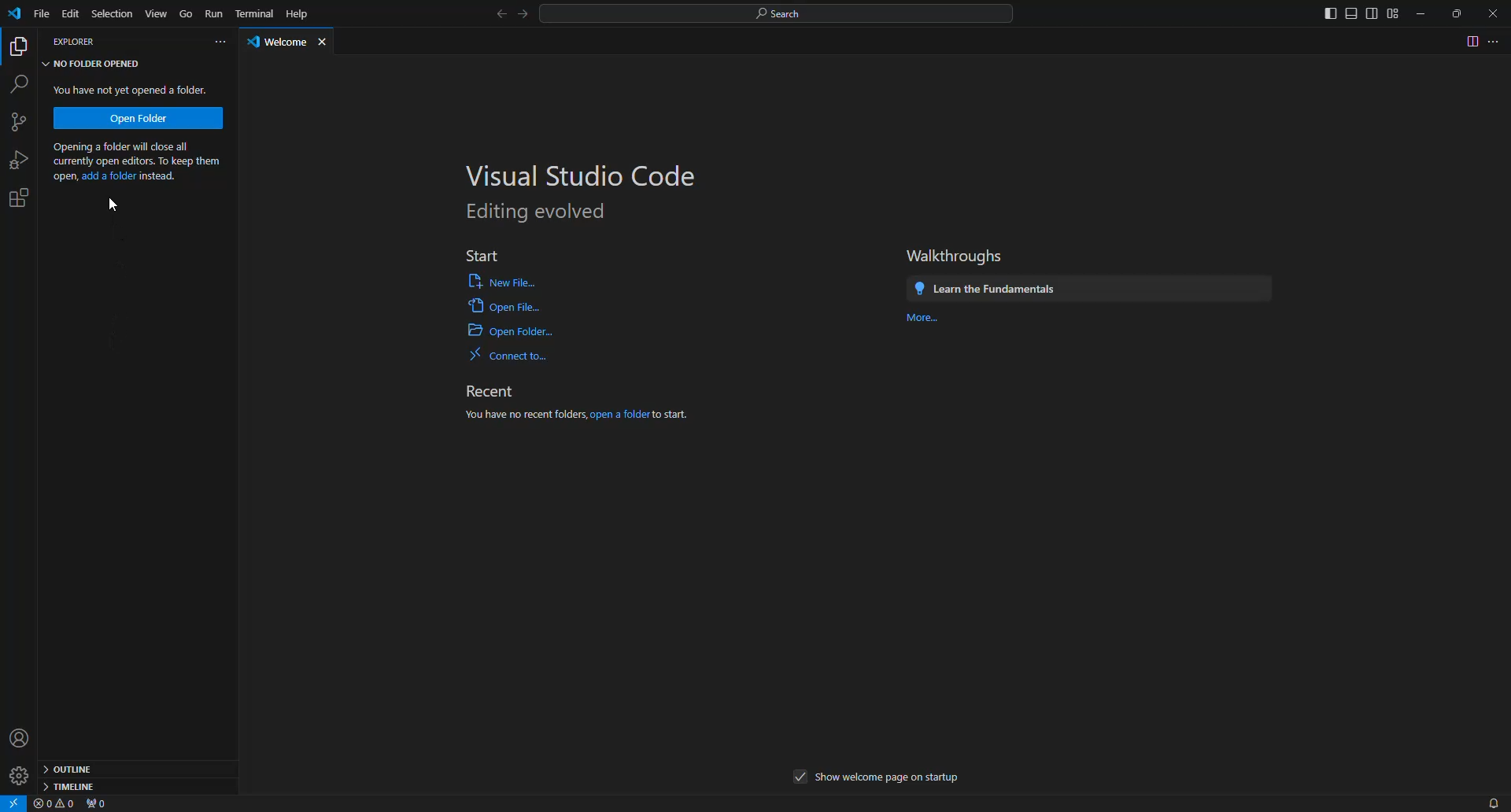  I want to click on connect to, so click(512, 356).